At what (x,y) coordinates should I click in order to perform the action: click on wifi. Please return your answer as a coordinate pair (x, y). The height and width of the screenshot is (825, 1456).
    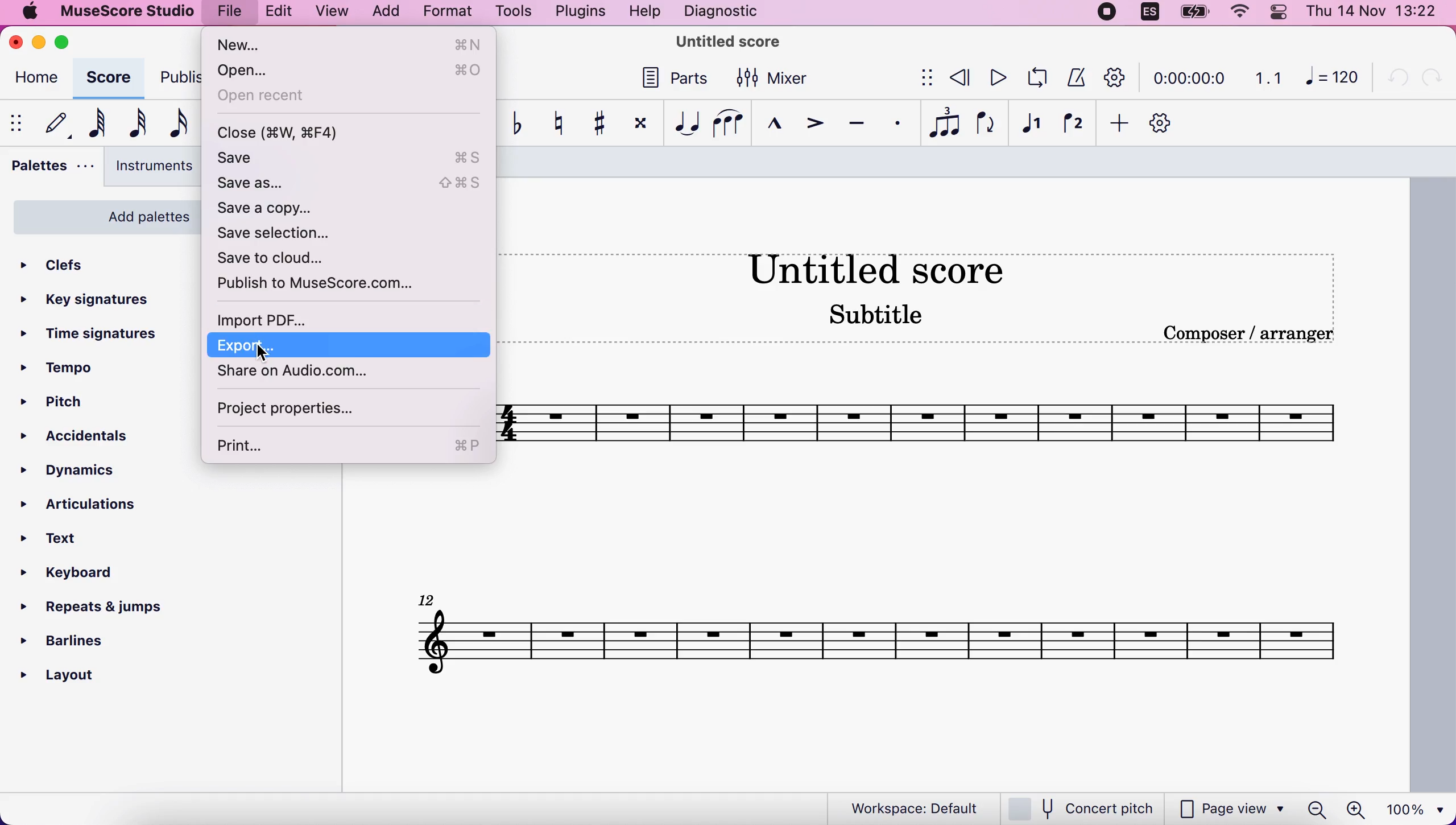
    Looking at the image, I should click on (1230, 13).